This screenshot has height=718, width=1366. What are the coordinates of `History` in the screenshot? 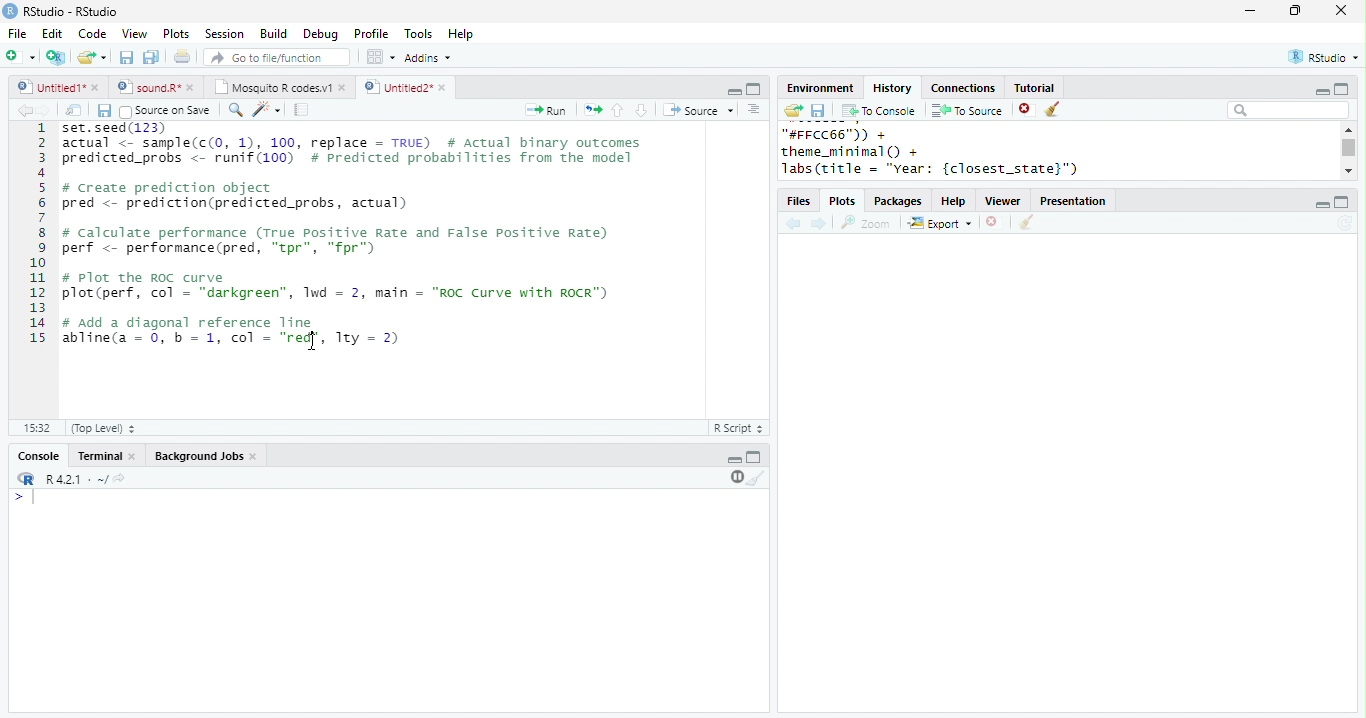 It's located at (892, 88).